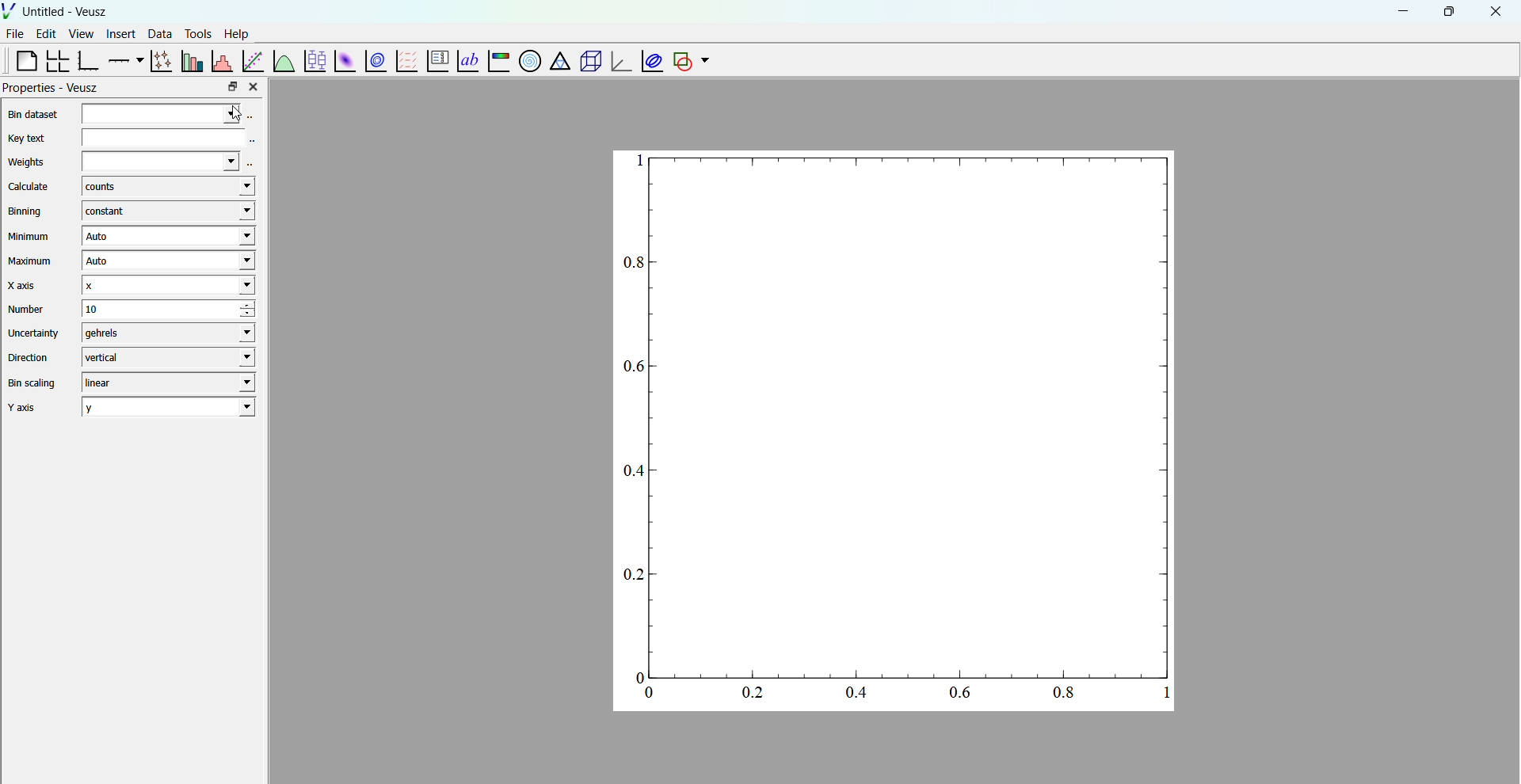 This screenshot has width=1521, height=784. Describe the element at coordinates (681, 61) in the screenshot. I see `add a shape to the plot` at that location.